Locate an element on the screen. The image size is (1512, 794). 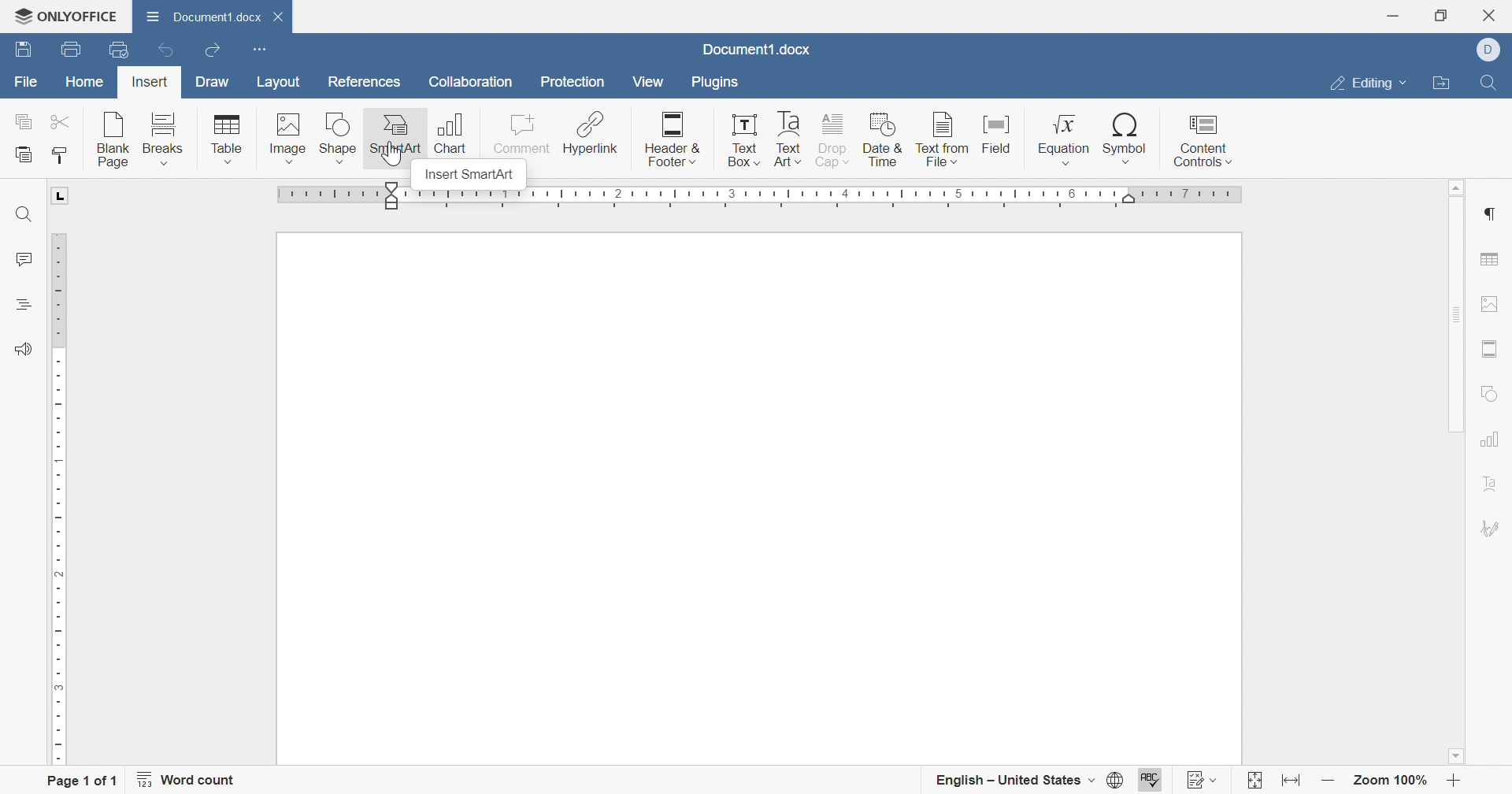
Save is located at coordinates (21, 49).